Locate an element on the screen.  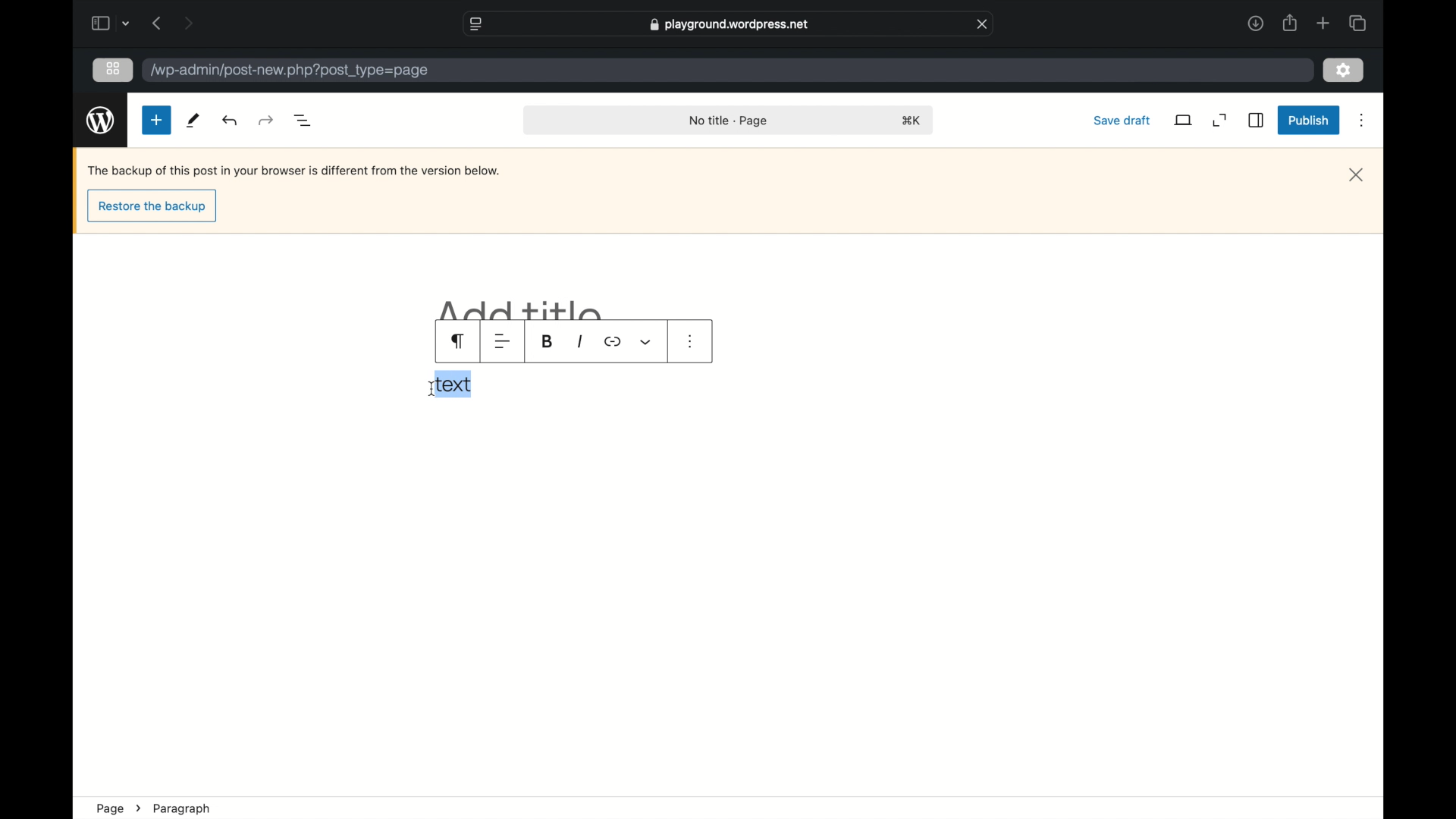
expand is located at coordinates (1220, 121).